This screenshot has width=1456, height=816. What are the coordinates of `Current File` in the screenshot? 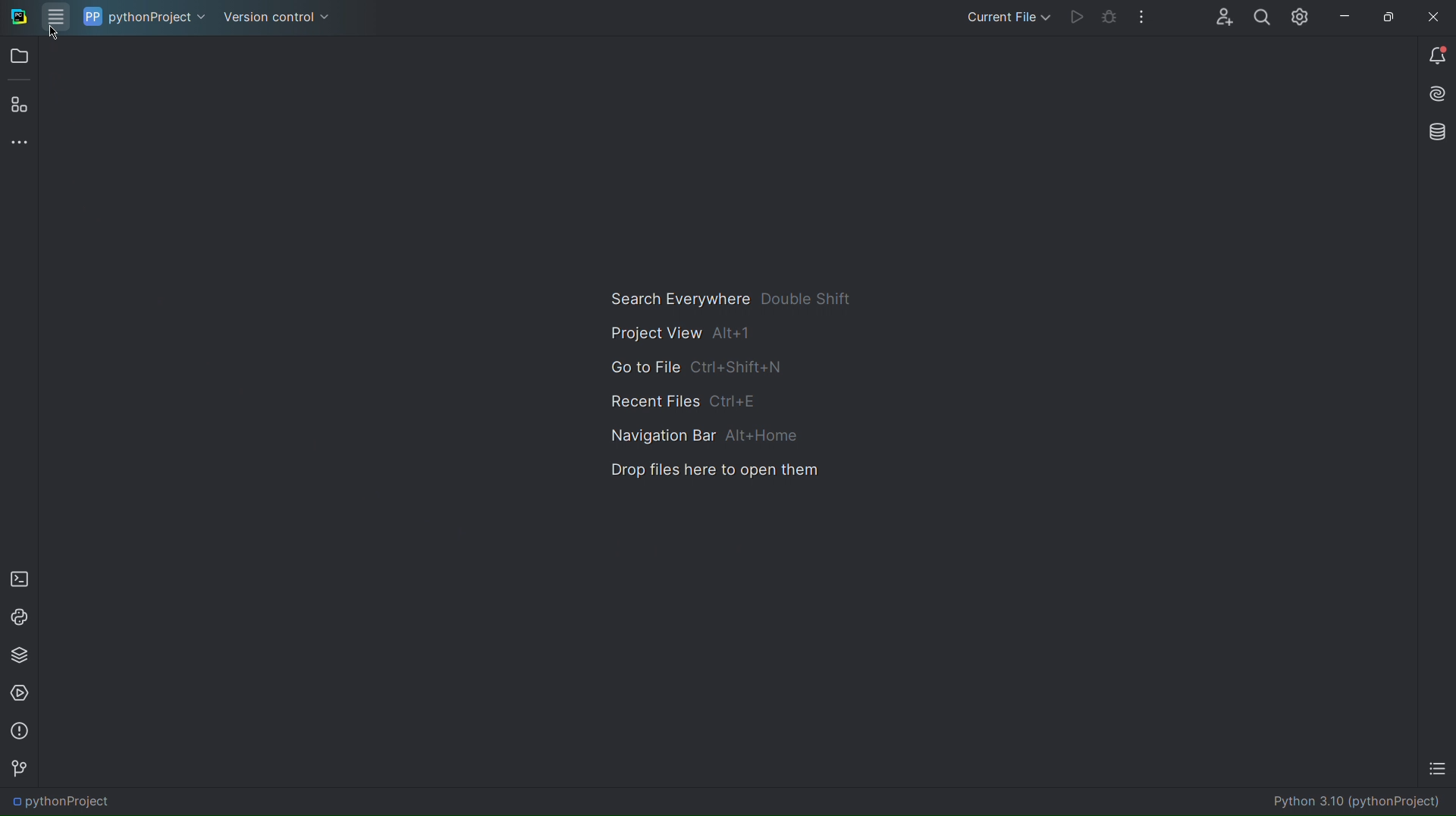 It's located at (1006, 17).